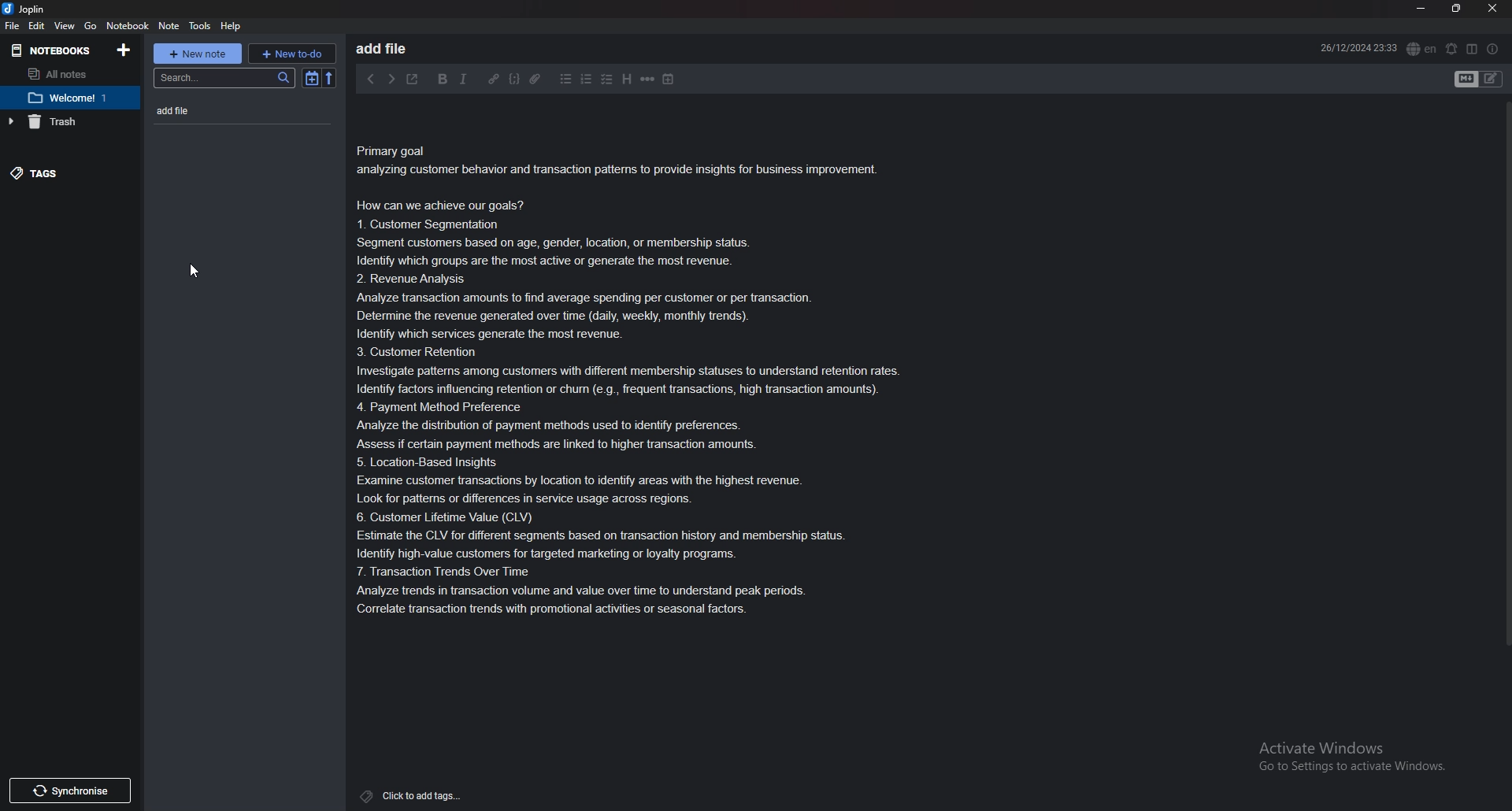 The image size is (1512, 811). I want to click on search, so click(225, 78).